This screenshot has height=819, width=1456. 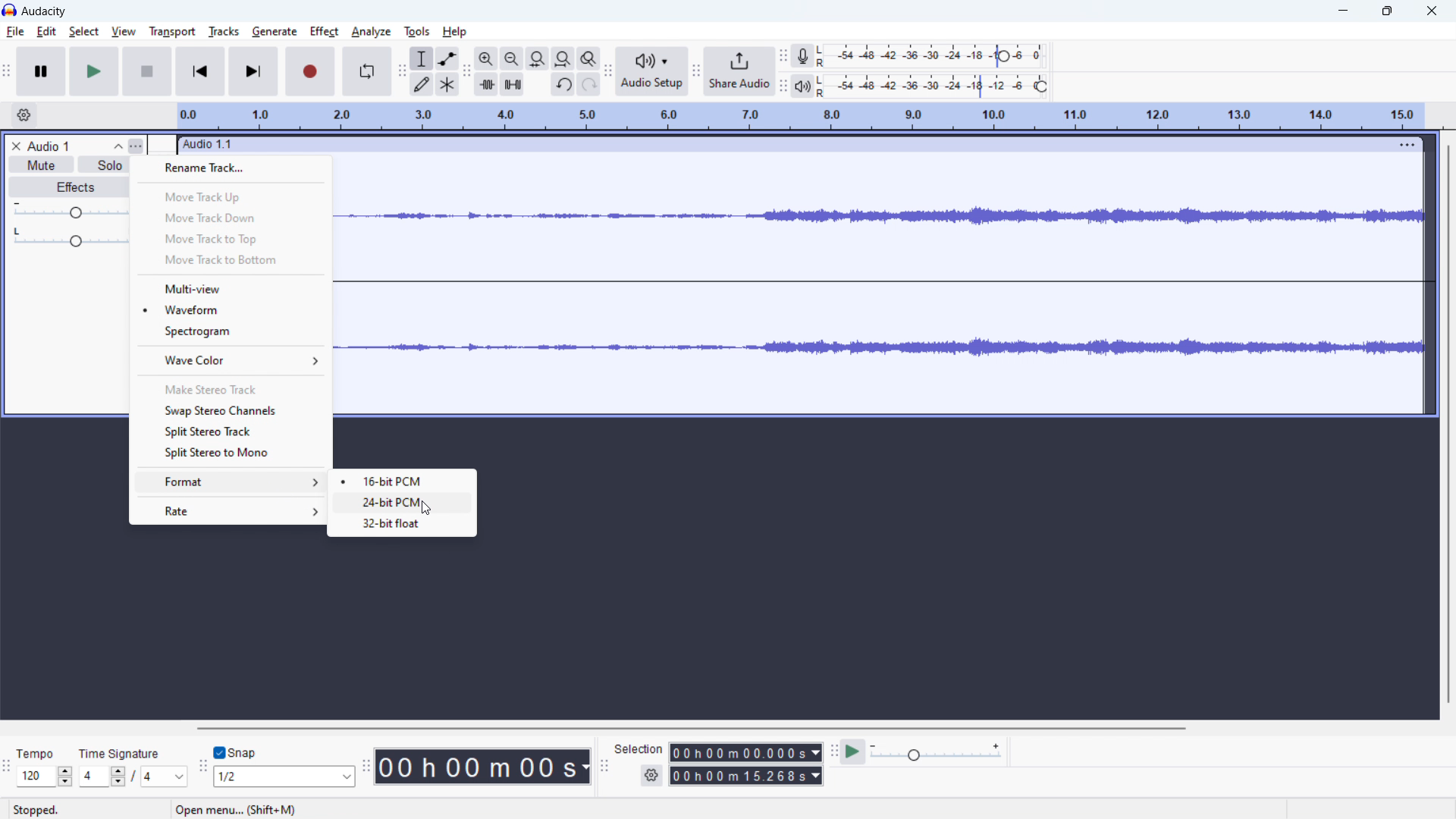 I want to click on toggle snap, so click(x=236, y=753).